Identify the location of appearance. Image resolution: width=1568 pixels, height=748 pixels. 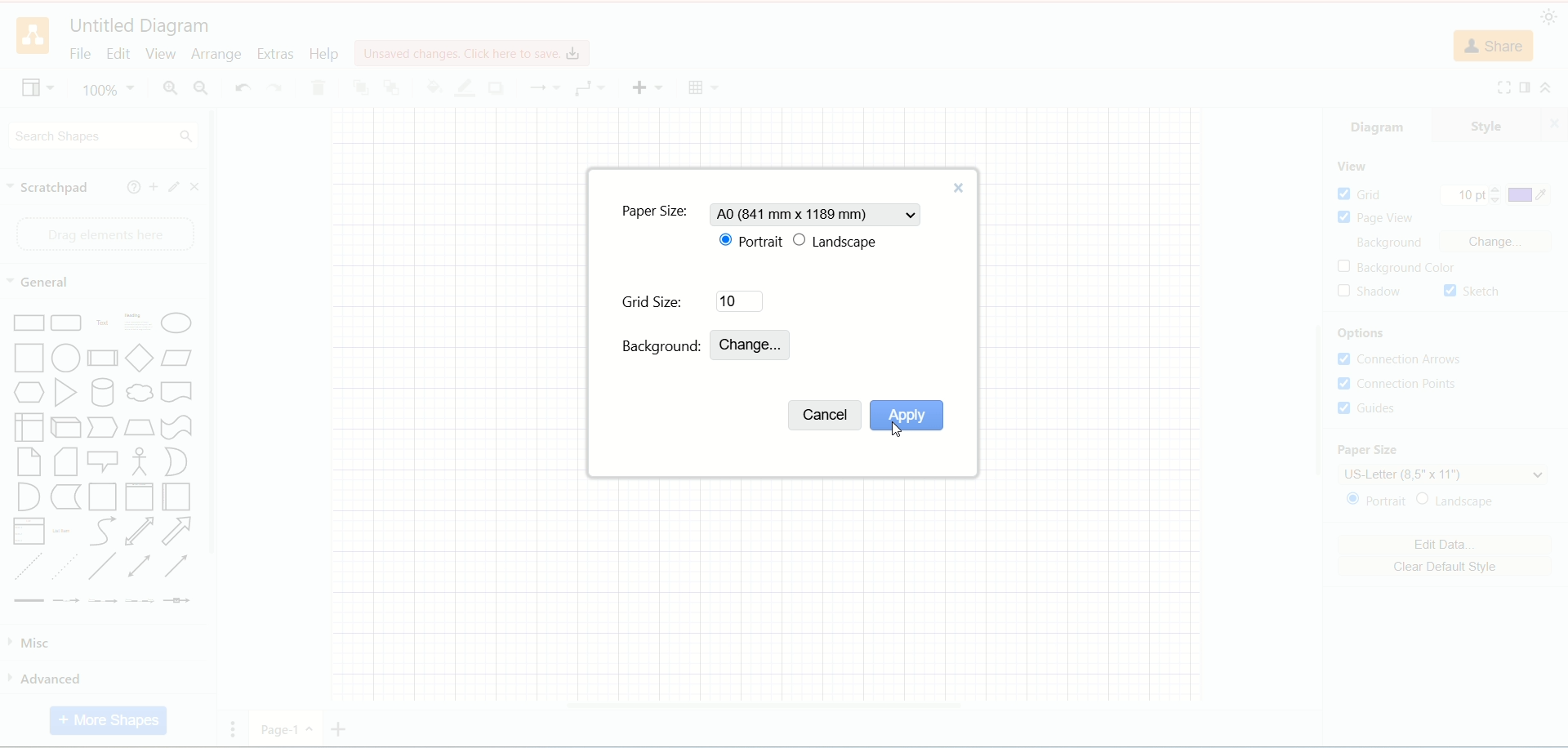
(1550, 17).